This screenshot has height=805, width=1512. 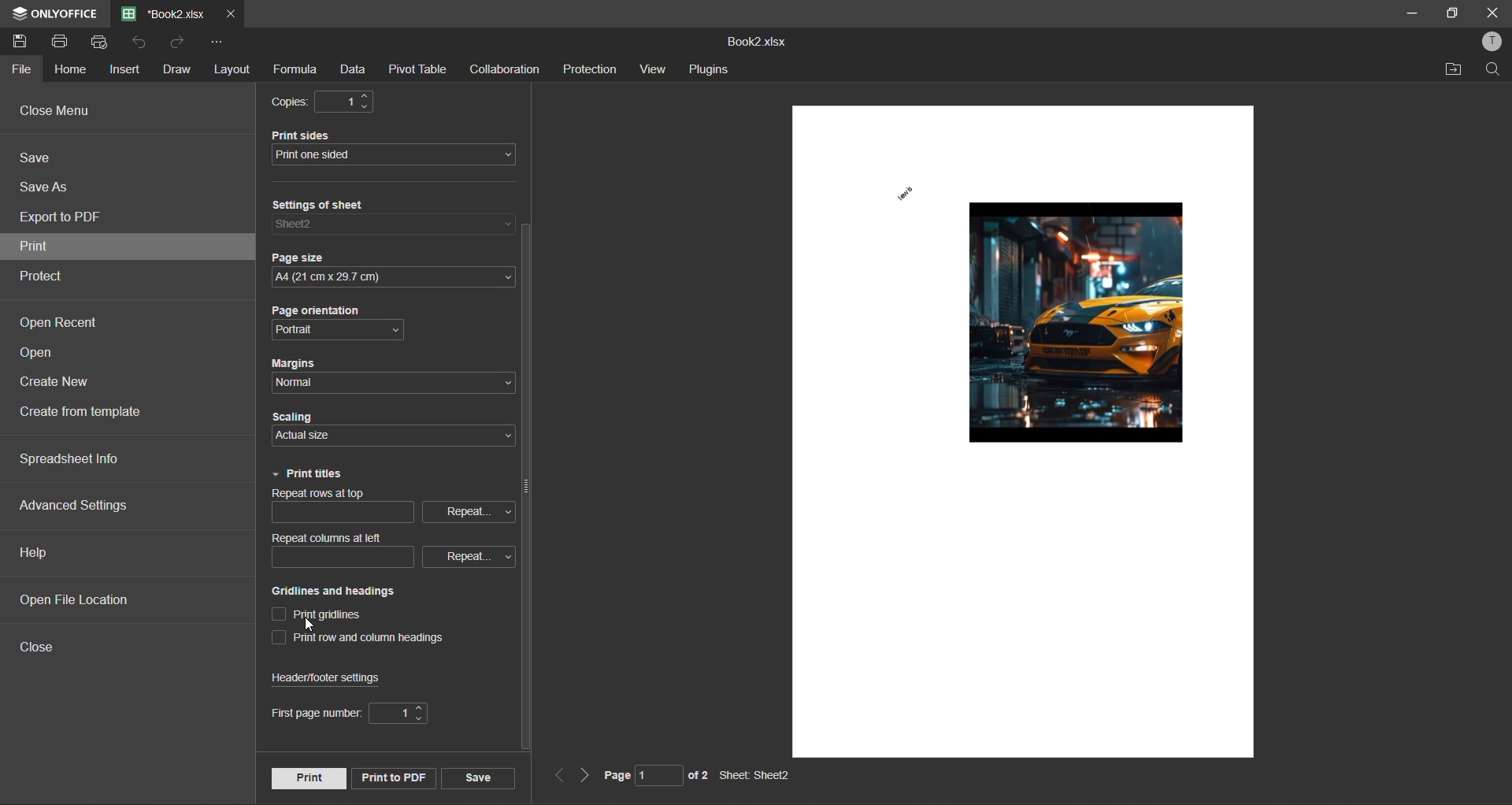 What do you see at coordinates (343, 102) in the screenshot?
I see `1` at bounding box center [343, 102].